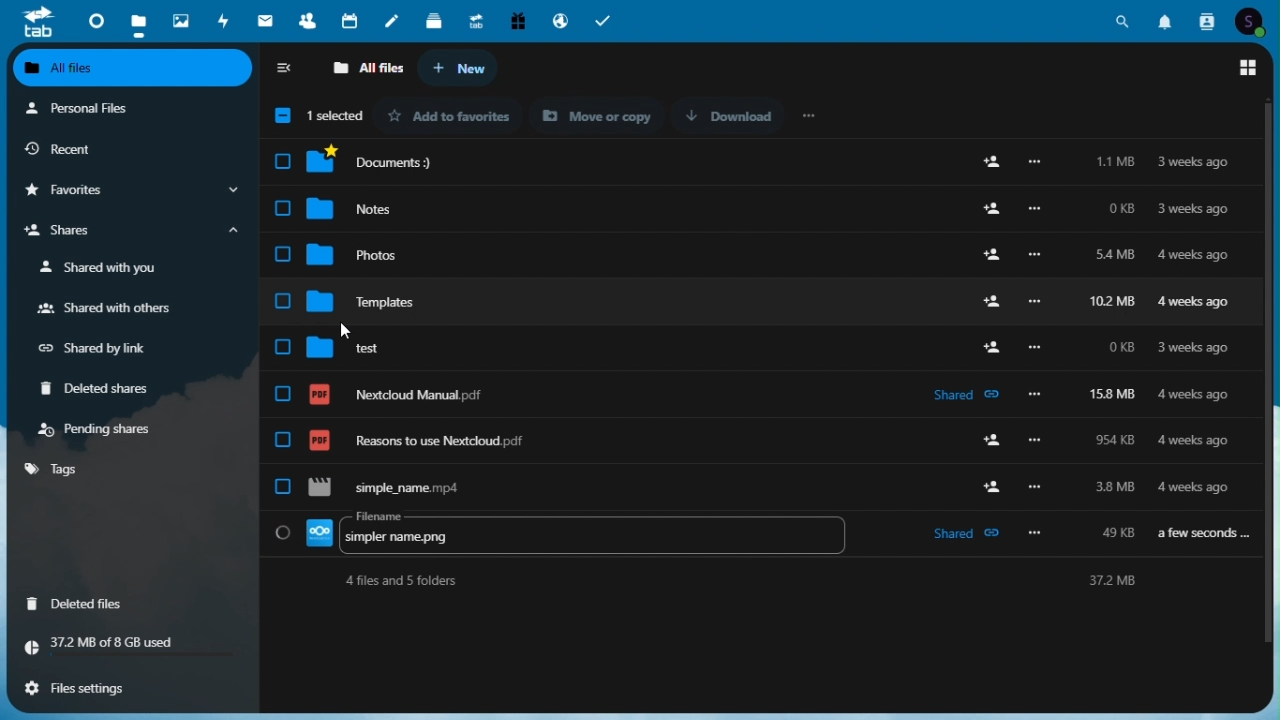 Image resolution: width=1280 pixels, height=720 pixels. What do you see at coordinates (91, 19) in the screenshot?
I see `dashboard` at bounding box center [91, 19].